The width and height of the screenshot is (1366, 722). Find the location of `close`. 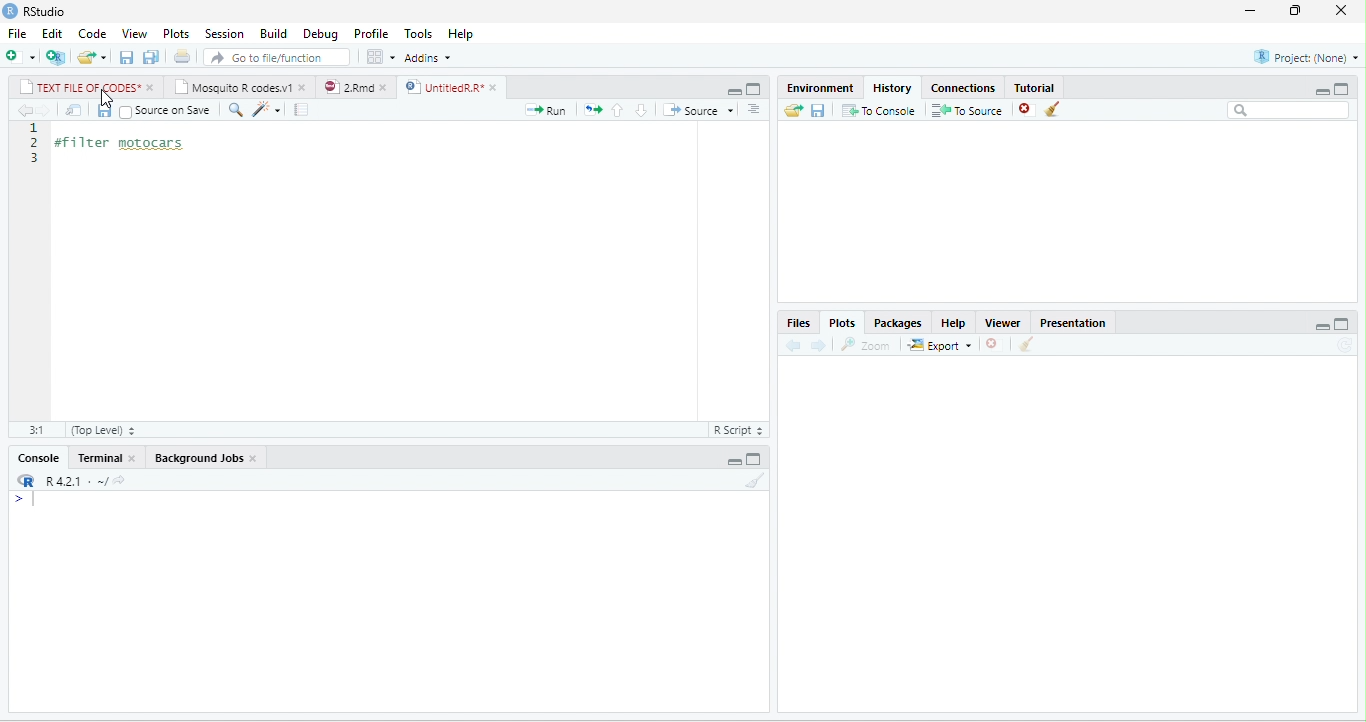

close is located at coordinates (254, 459).